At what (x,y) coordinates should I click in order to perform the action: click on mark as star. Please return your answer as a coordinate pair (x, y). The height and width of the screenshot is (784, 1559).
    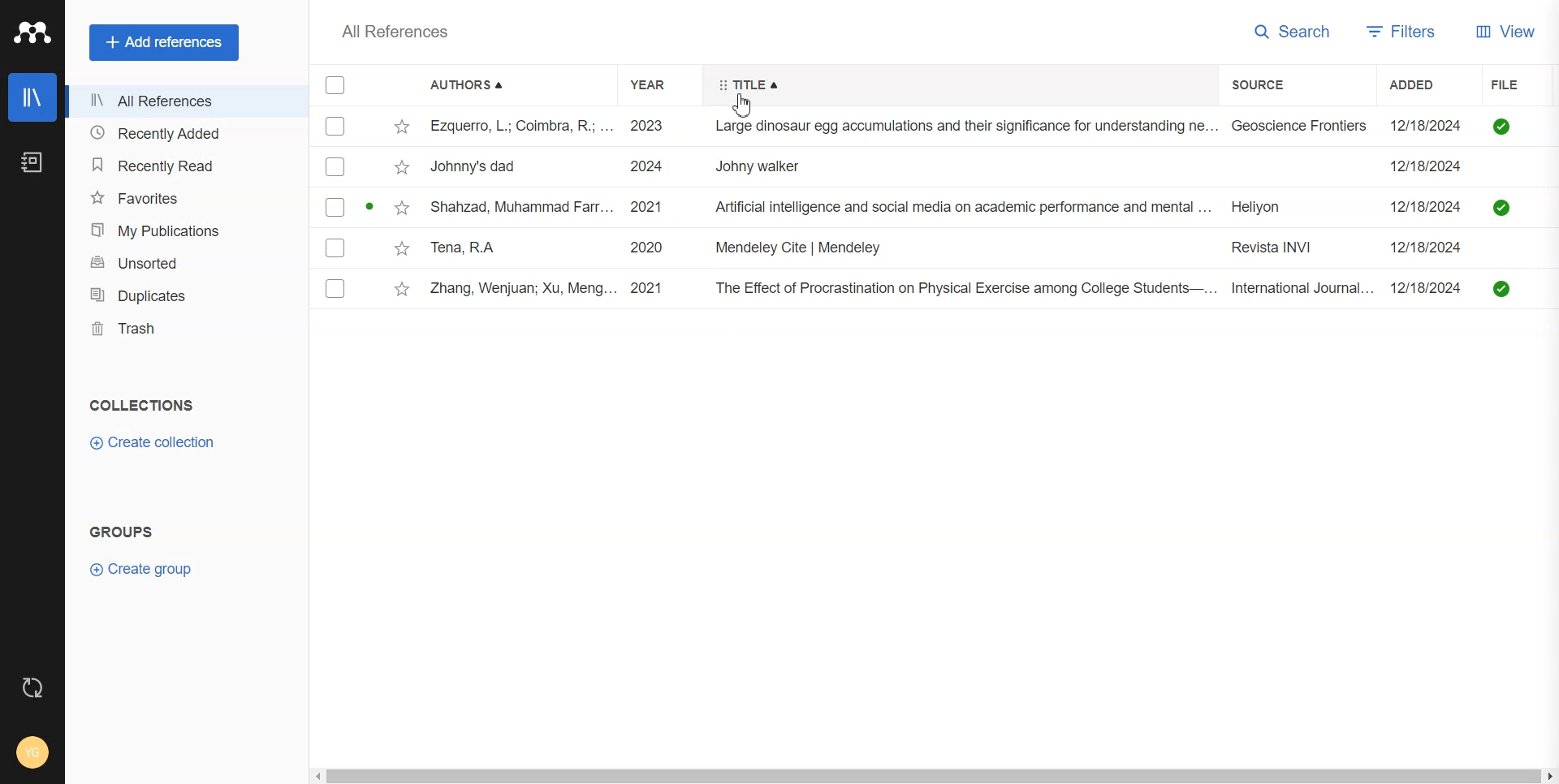
    Looking at the image, I should click on (402, 167).